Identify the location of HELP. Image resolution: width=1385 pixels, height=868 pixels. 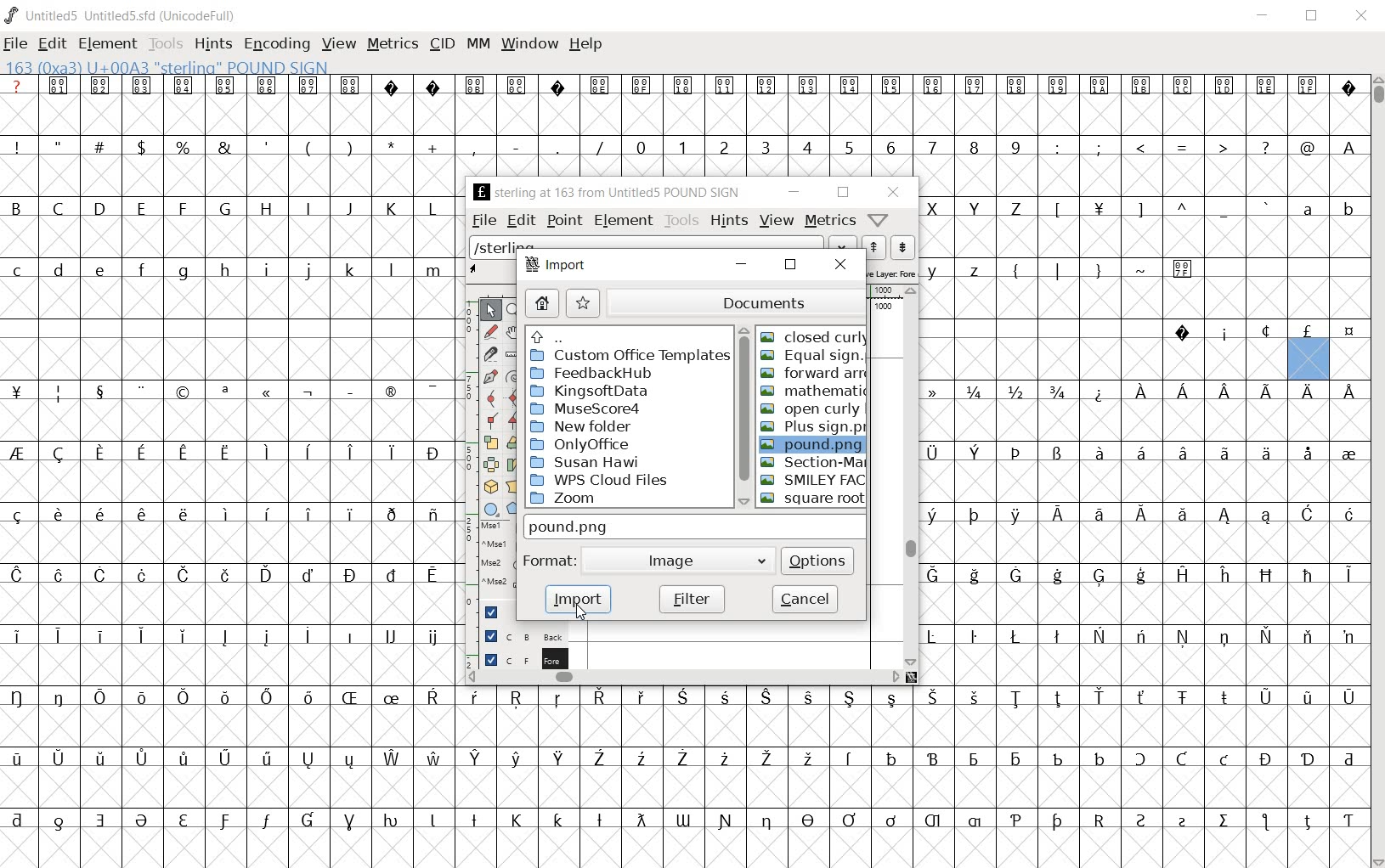
(585, 46).